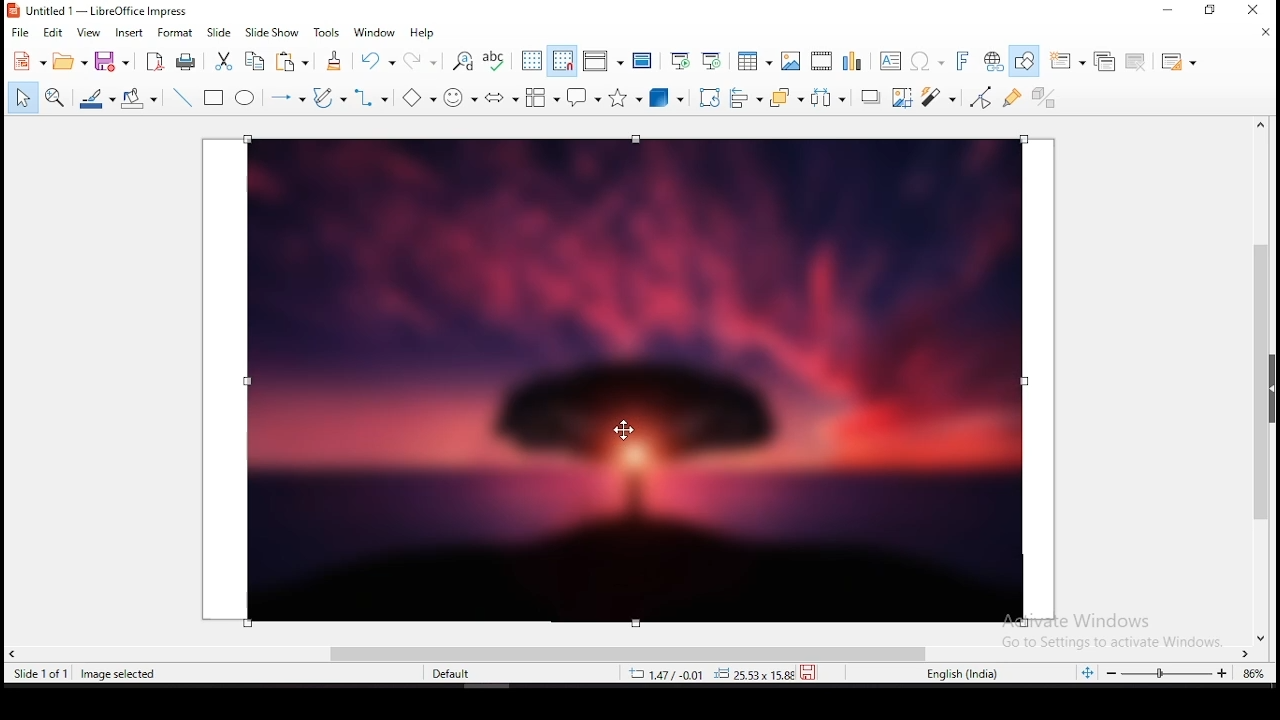  Describe the element at coordinates (792, 62) in the screenshot. I see `insert image` at that location.